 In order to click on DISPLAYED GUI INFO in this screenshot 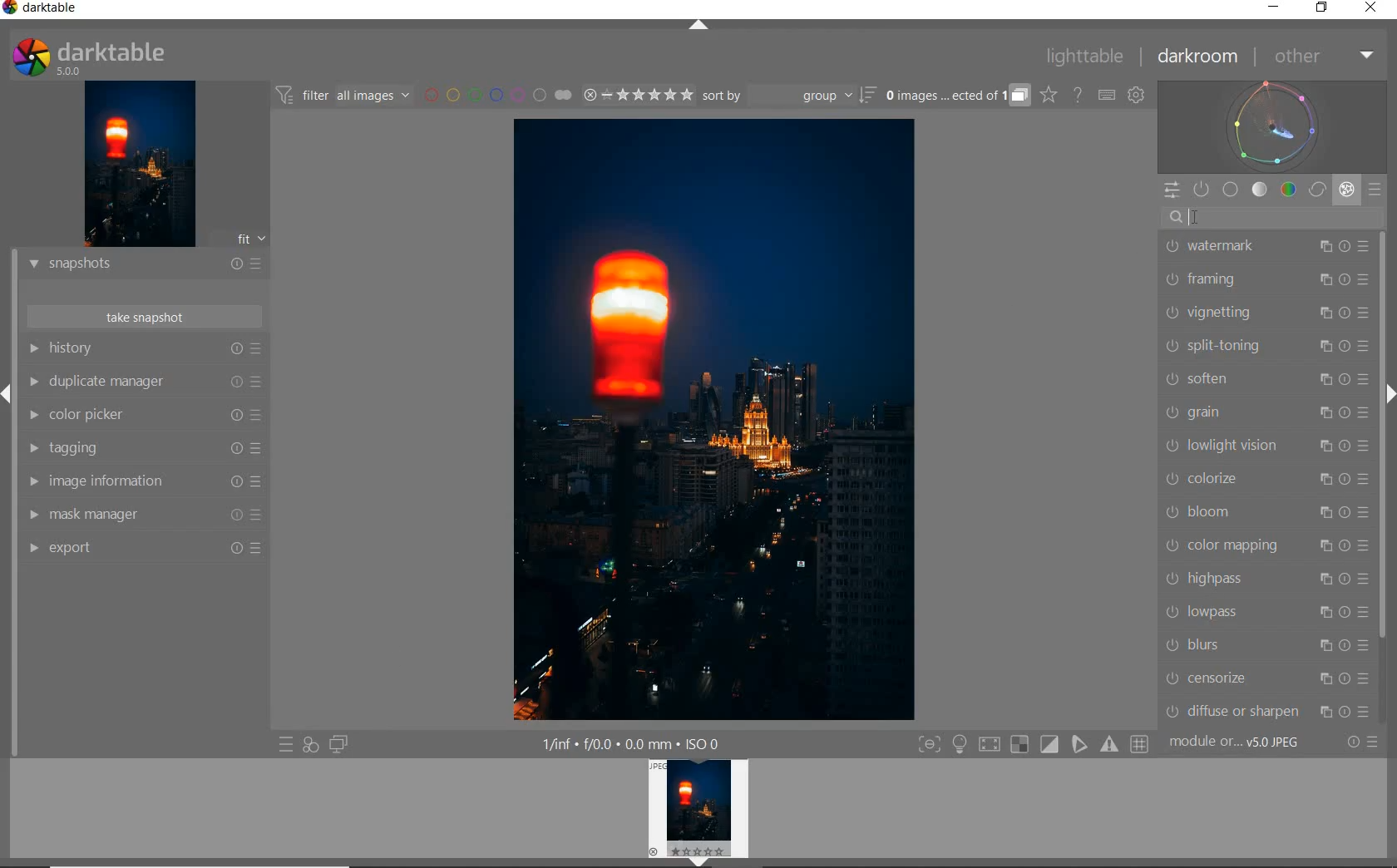, I will do `click(632, 742)`.